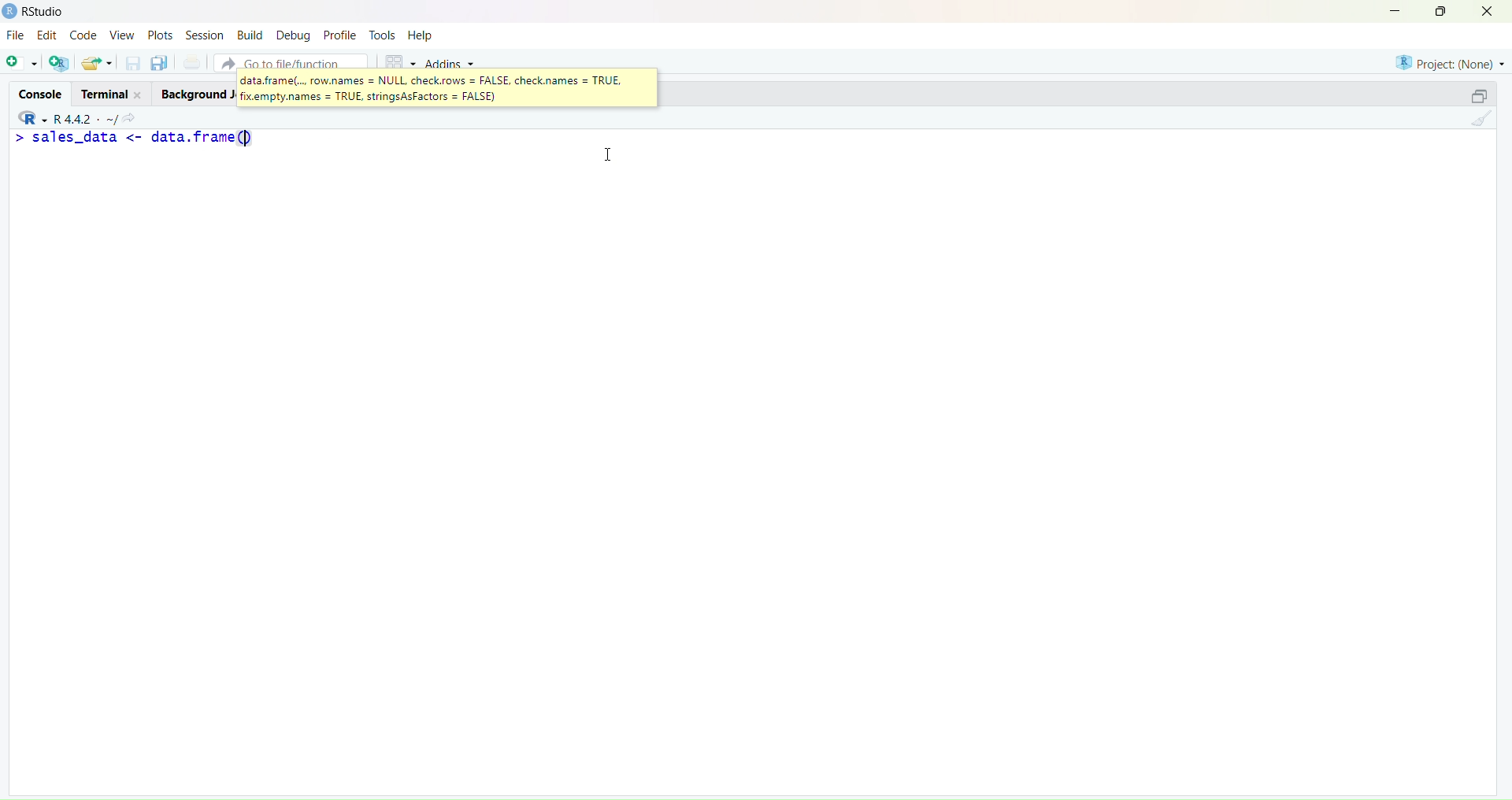 This screenshot has height=800, width=1512. I want to click on Project: (None), so click(1450, 61).